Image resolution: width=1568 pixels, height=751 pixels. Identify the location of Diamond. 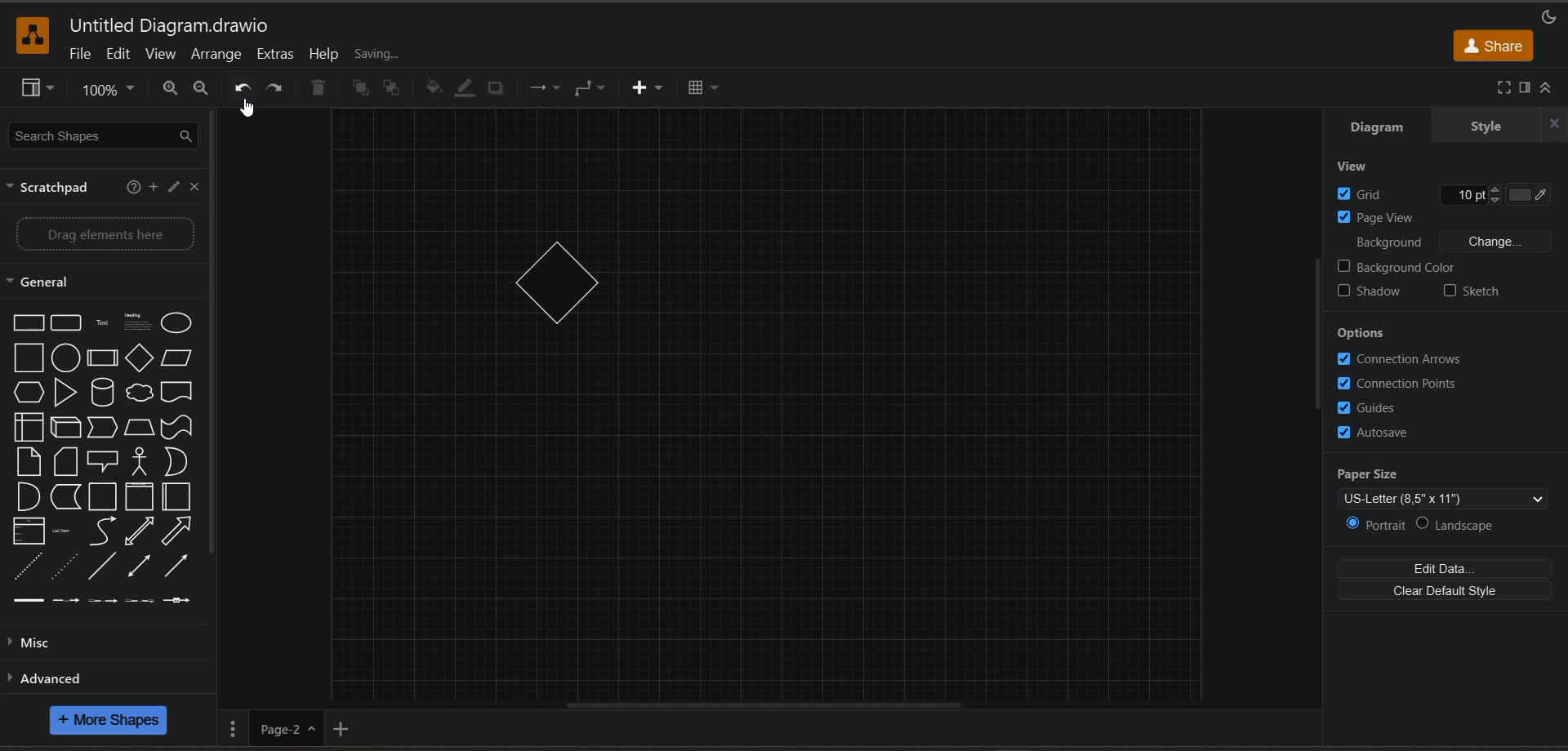
(141, 358).